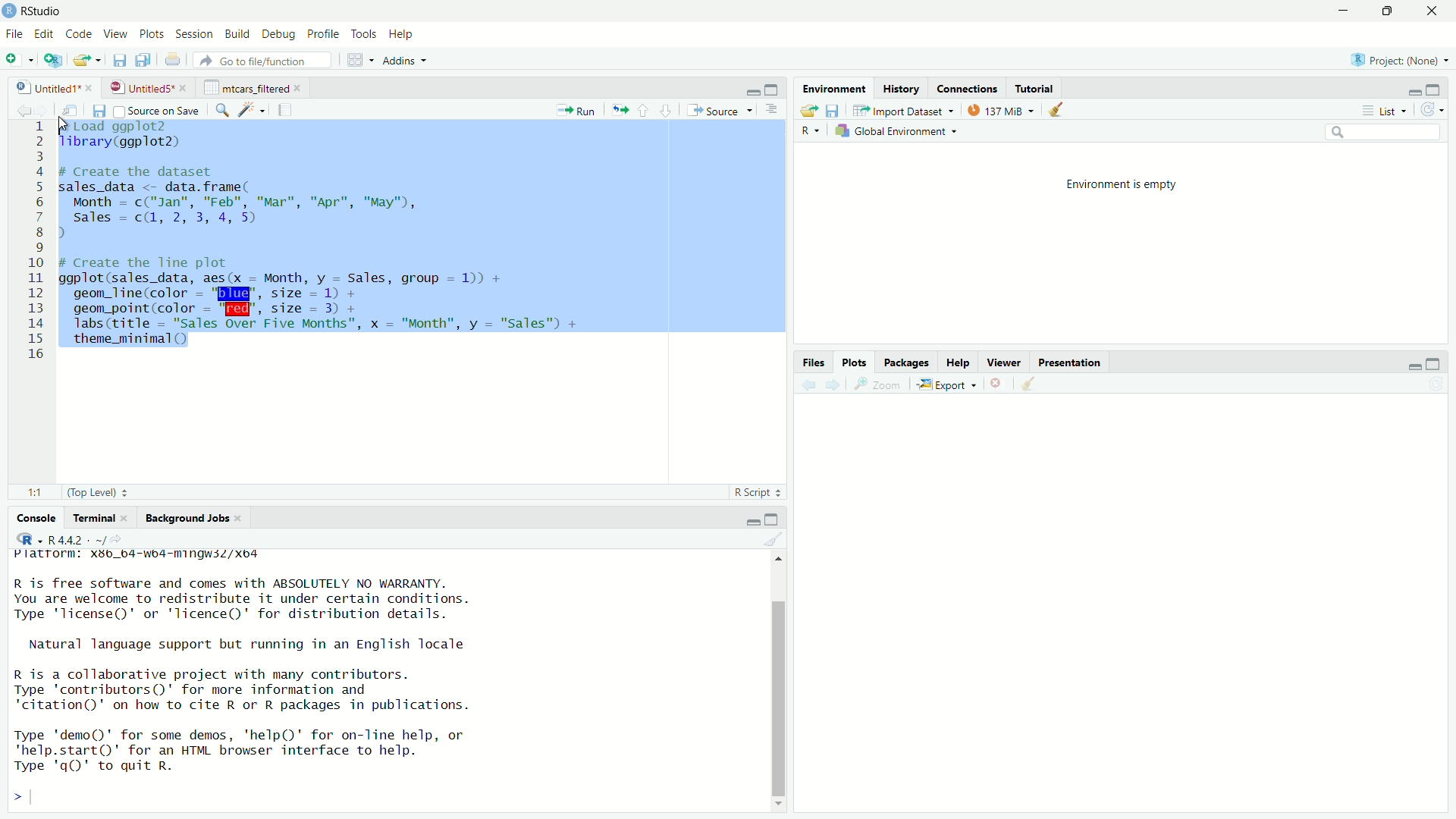 The image size is (1456, 819). What do you see at coordinates (66, 124) in the screenshot?
I see `cursor` at bounding box center [66, 124].